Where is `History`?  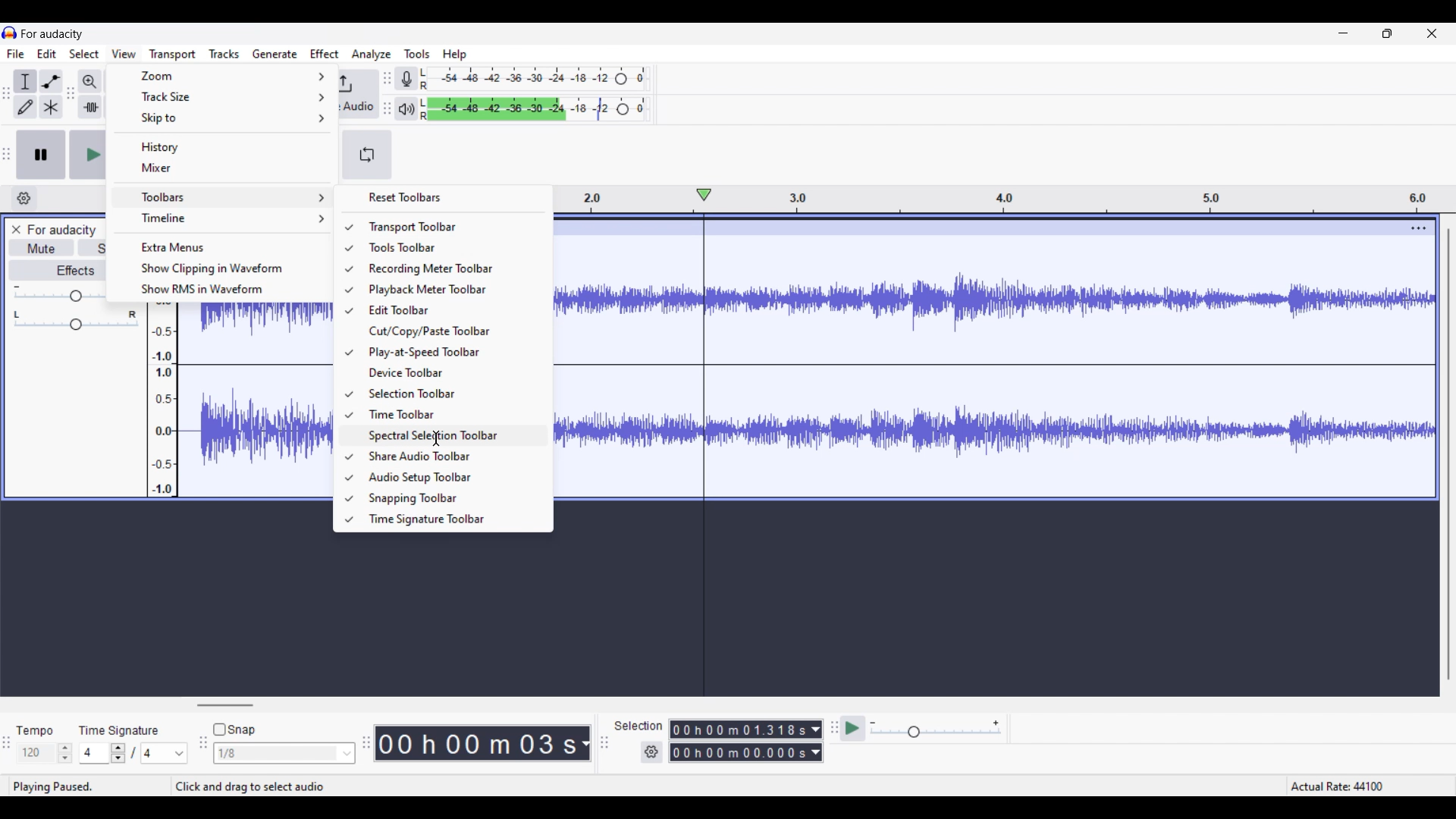
History is located at coordinates (223, 146).